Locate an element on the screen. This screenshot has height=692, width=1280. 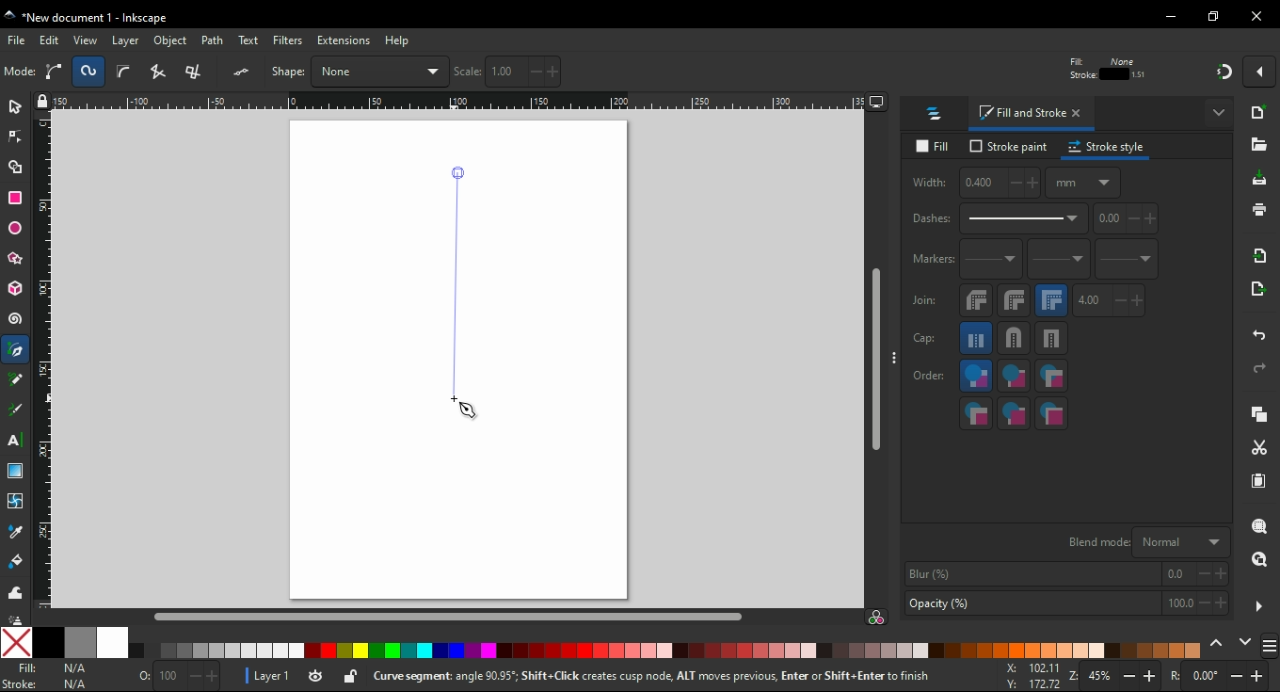
dashes is located at coordinates (998, 219).